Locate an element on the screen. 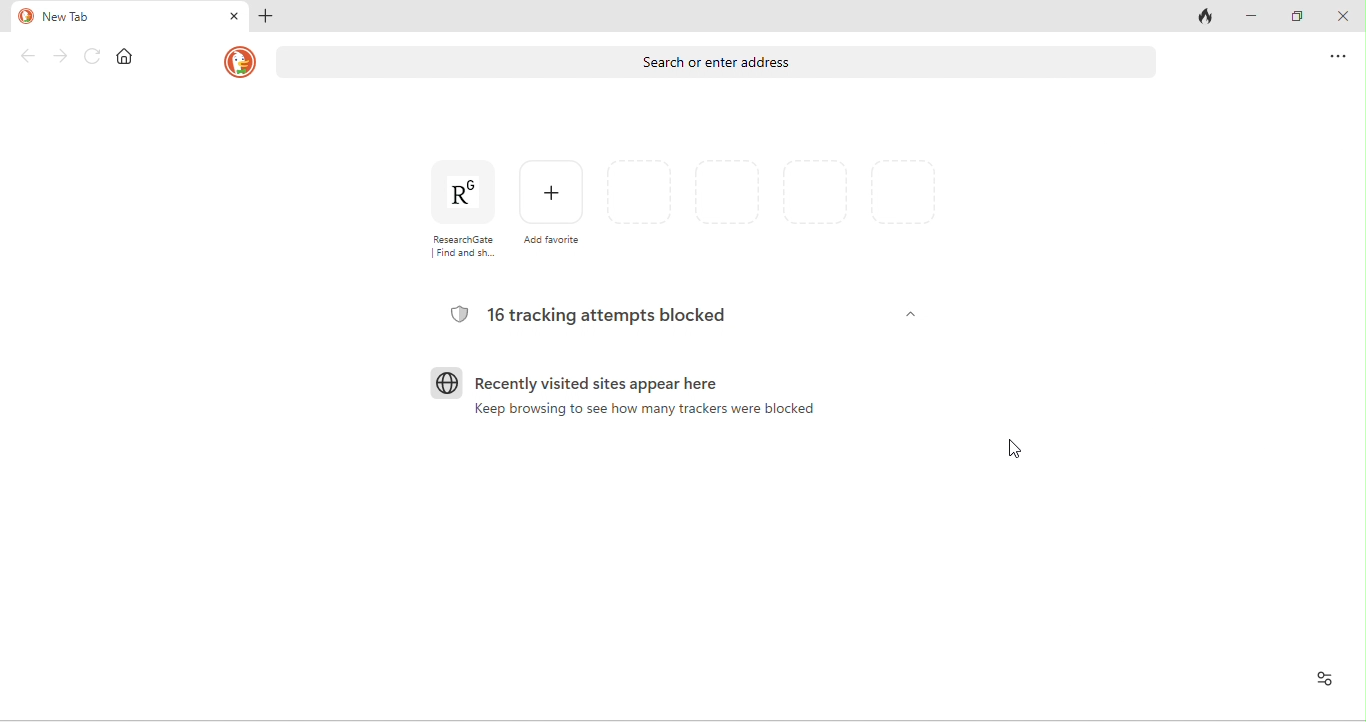  16 tracking attempts blocked is located at coordinates (594, 315).